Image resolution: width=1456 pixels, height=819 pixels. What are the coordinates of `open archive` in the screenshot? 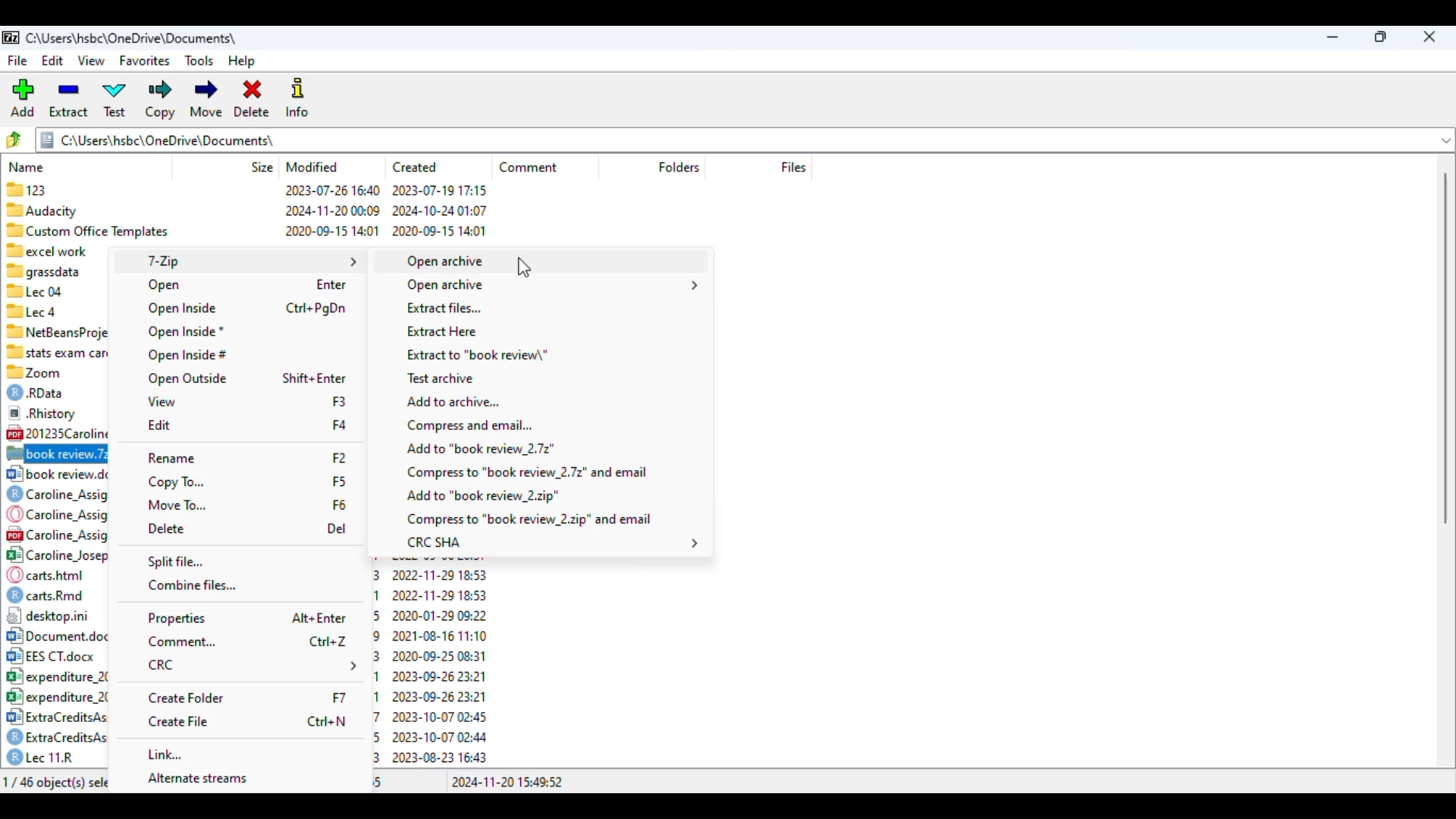 It's located at (555, 285).